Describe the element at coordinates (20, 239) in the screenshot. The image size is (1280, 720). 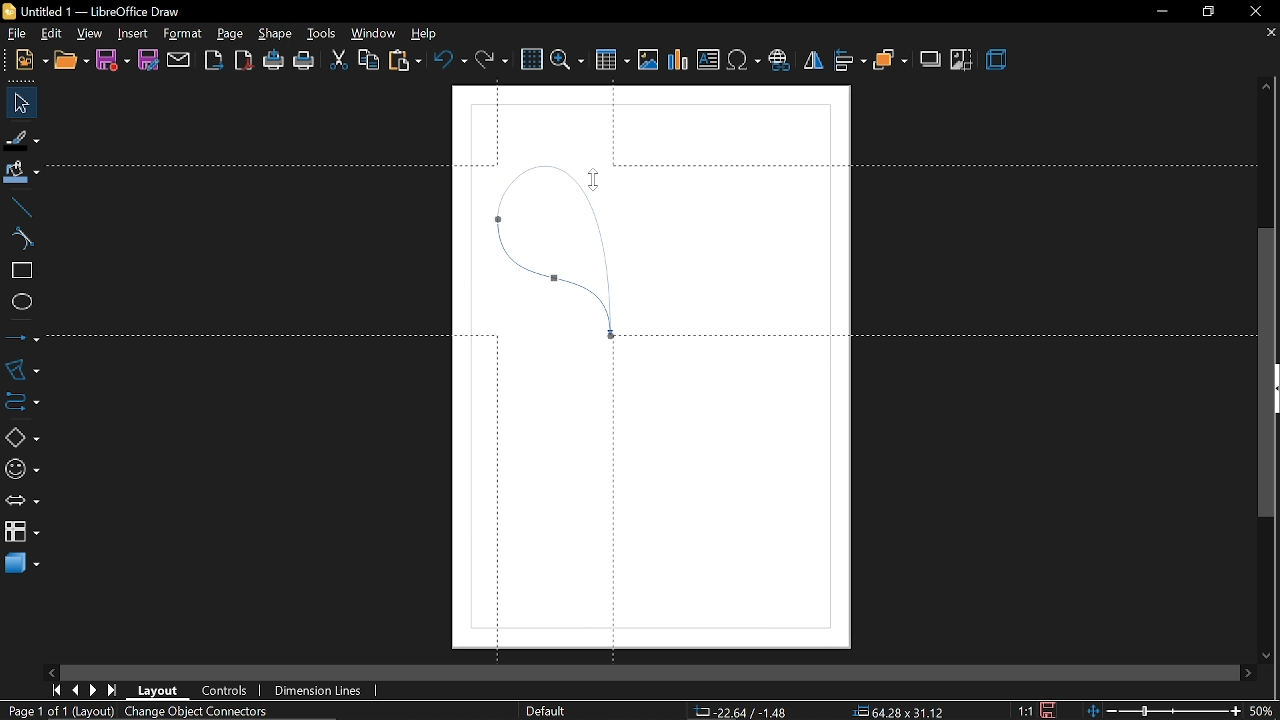
I see `curve` at that location.